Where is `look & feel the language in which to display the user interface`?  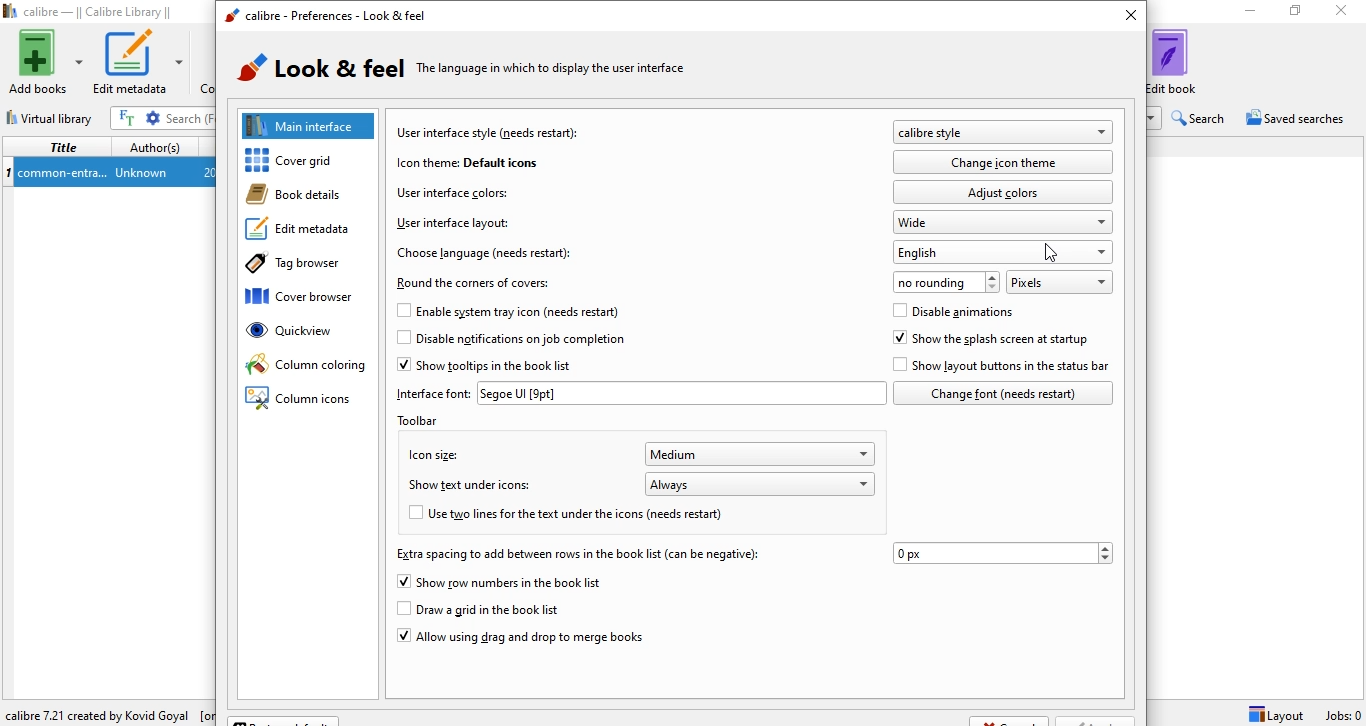 look & feel the language in which to display the user interface is located at coordinates (474, 71).